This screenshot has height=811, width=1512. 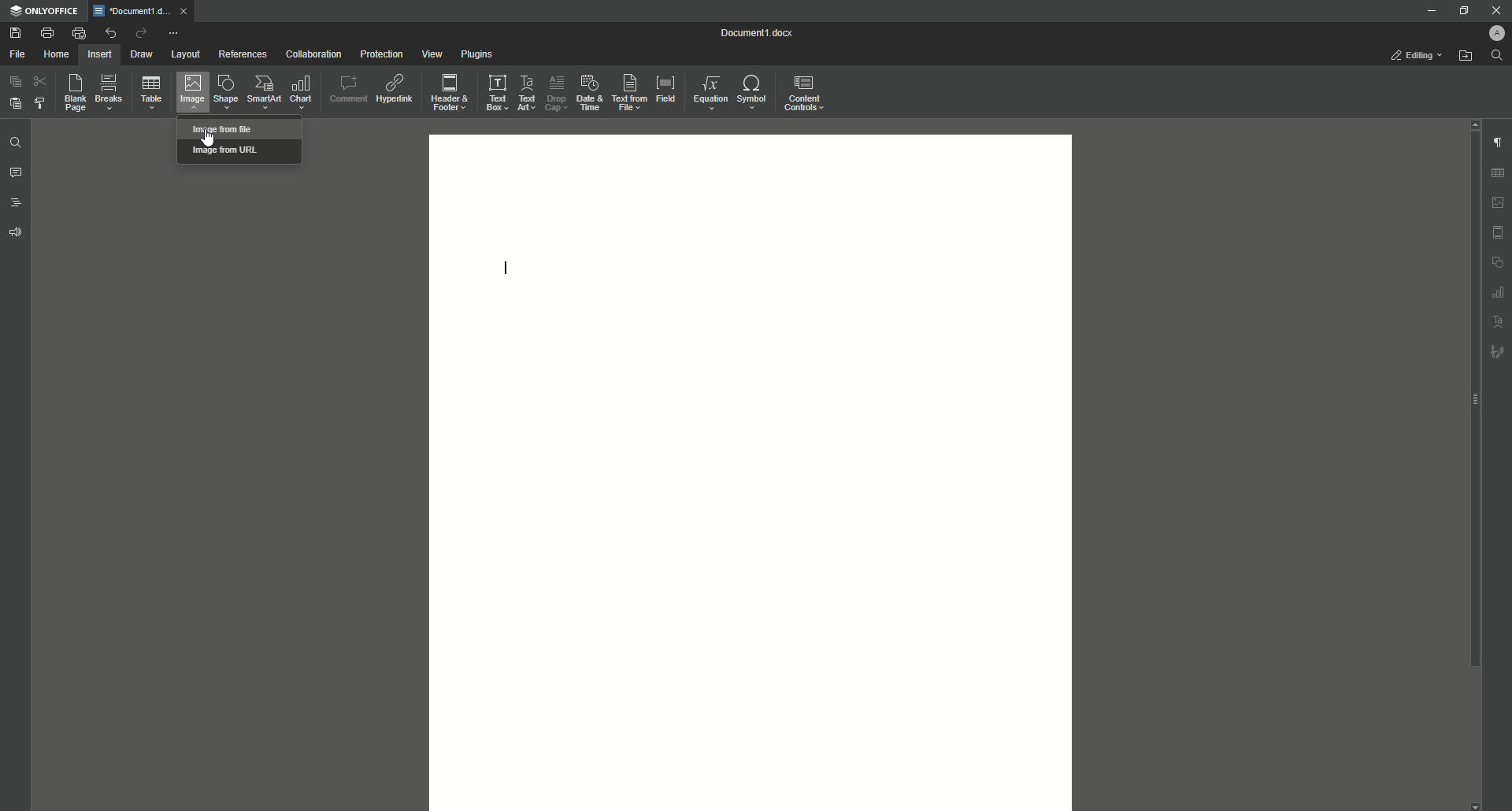 What do you see at coordinates (308, 56) in the screenshot?
I see `Collaboration` at bounding box center [308, 56].